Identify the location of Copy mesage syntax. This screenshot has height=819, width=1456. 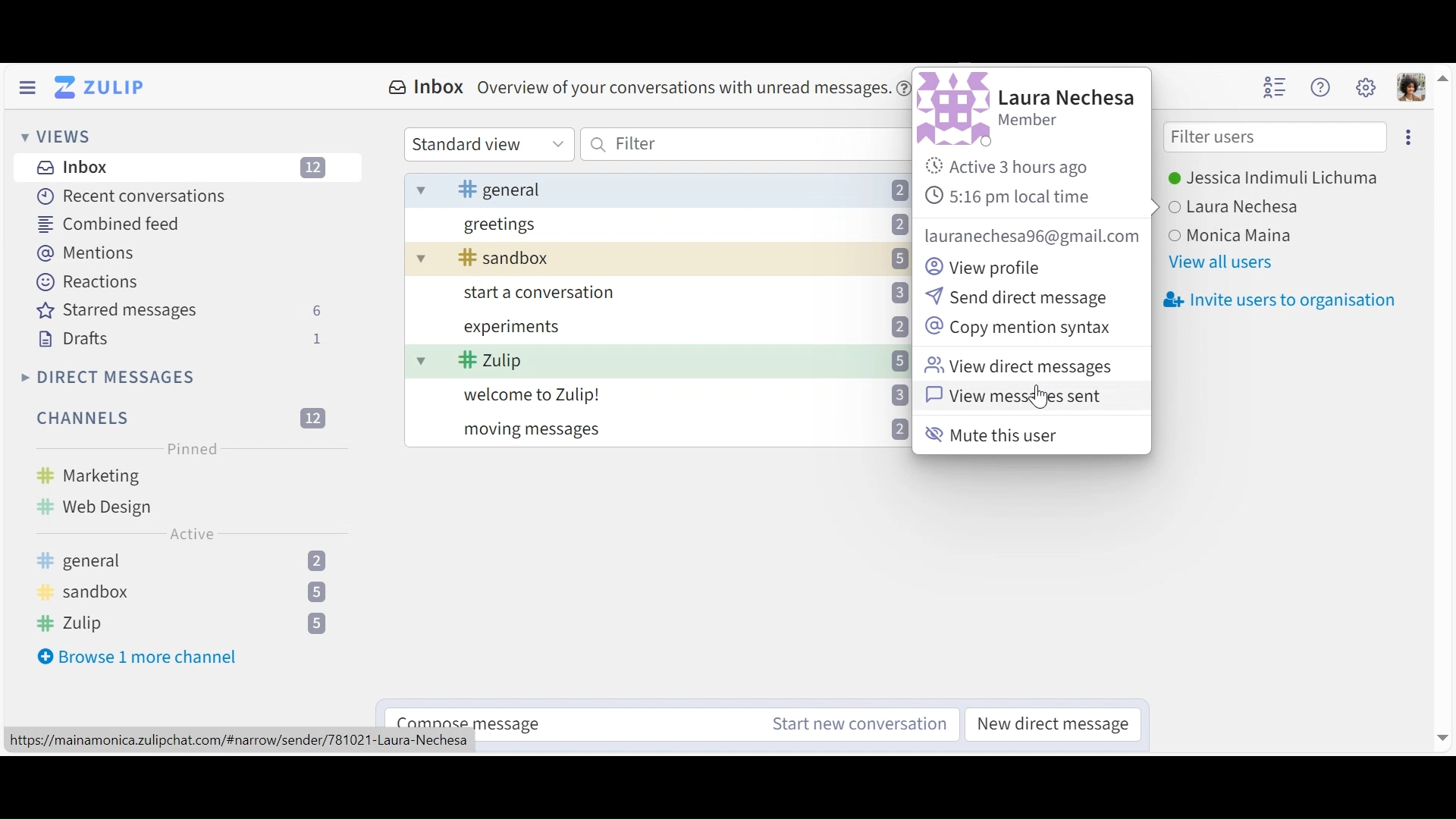
(1018, 327).